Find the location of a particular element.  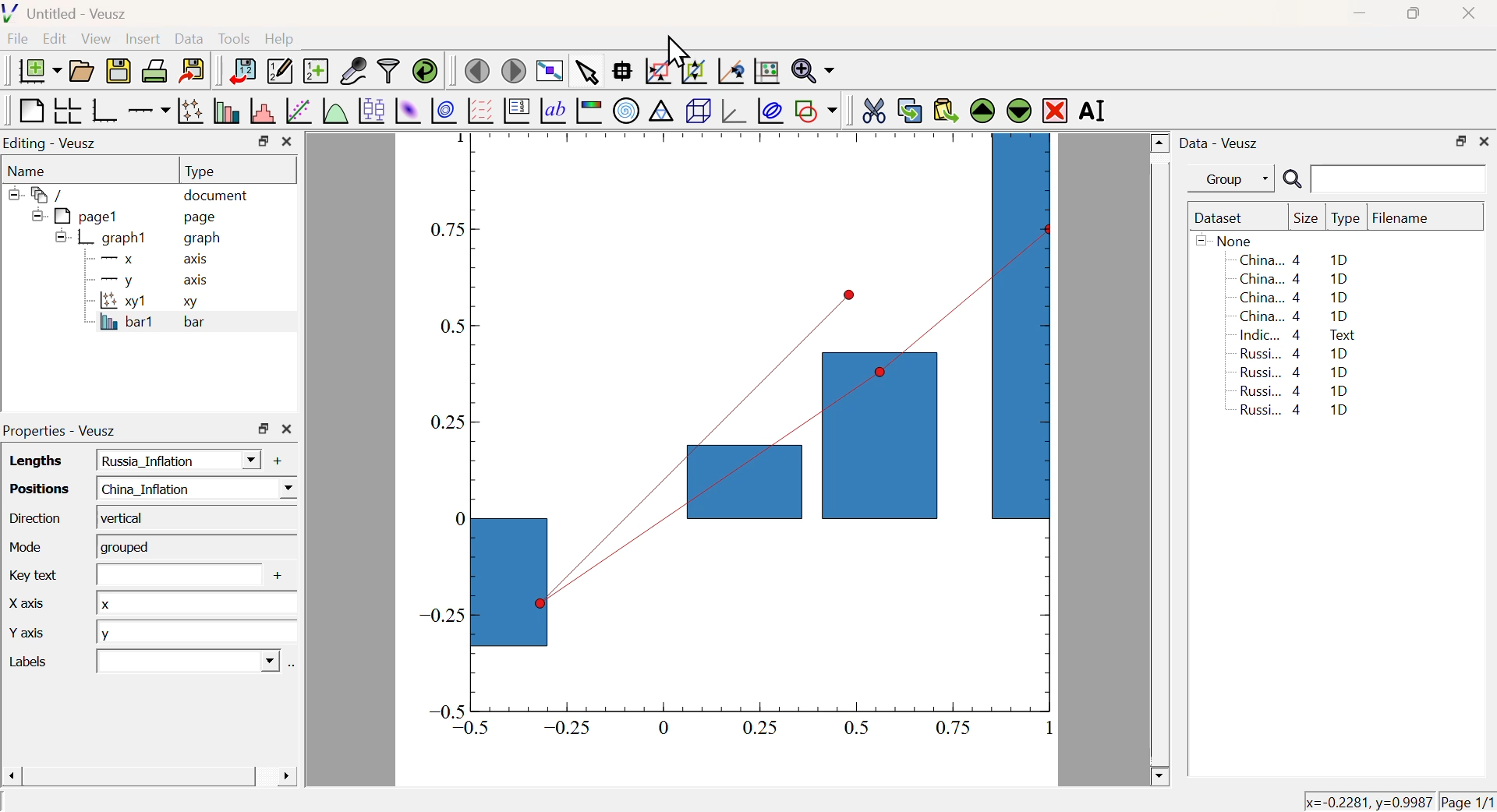

X Axis is located at coordinates (39, 607).